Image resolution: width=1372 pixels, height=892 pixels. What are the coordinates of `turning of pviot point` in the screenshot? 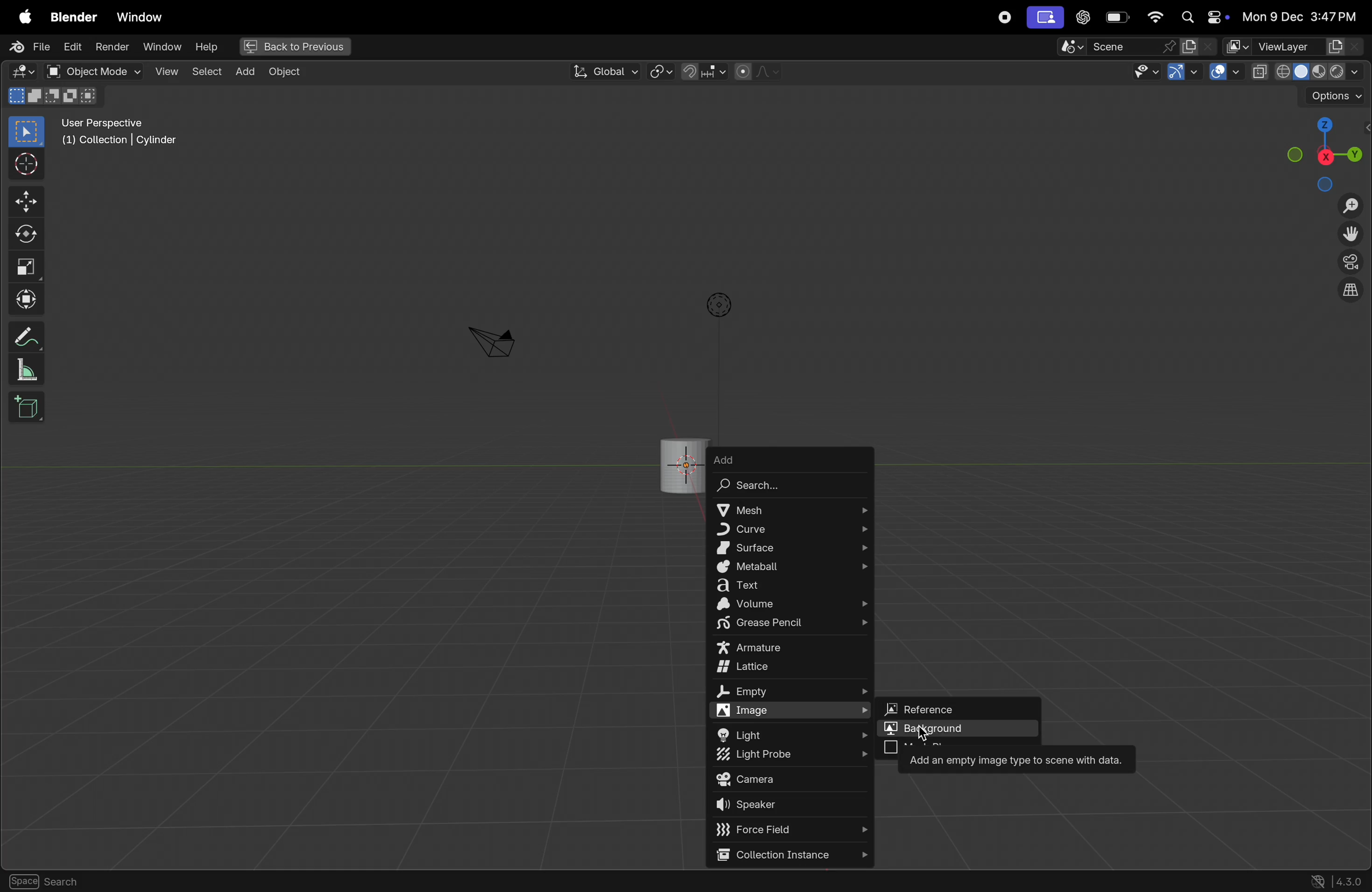 It's located at (661, 70).